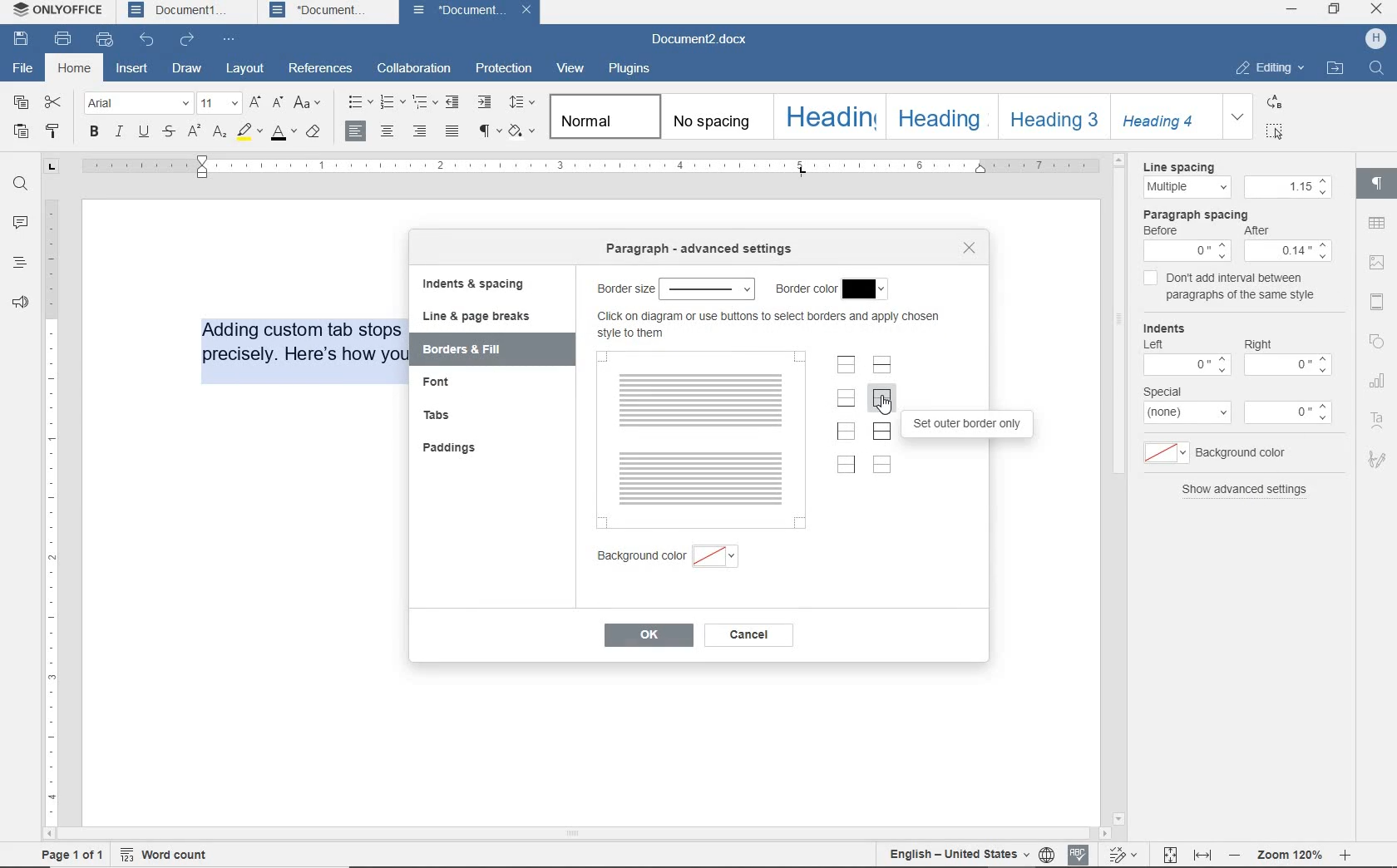 This screenshot has width=1397, height=868. I want to click on don't add interval between paragraphs of the same style, so click(1246, 287).